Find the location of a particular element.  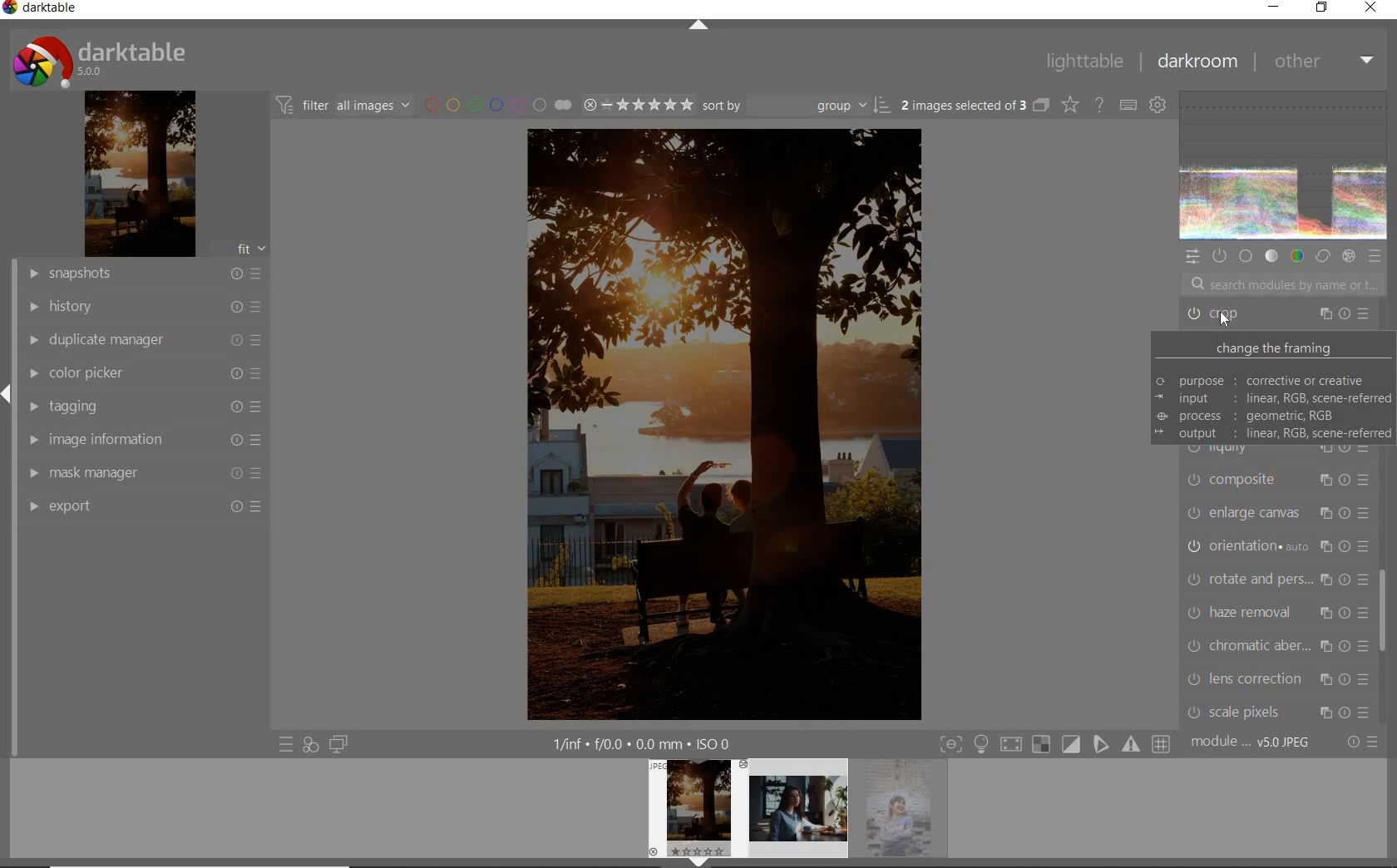

restore is located at coordinates (1321, 8).